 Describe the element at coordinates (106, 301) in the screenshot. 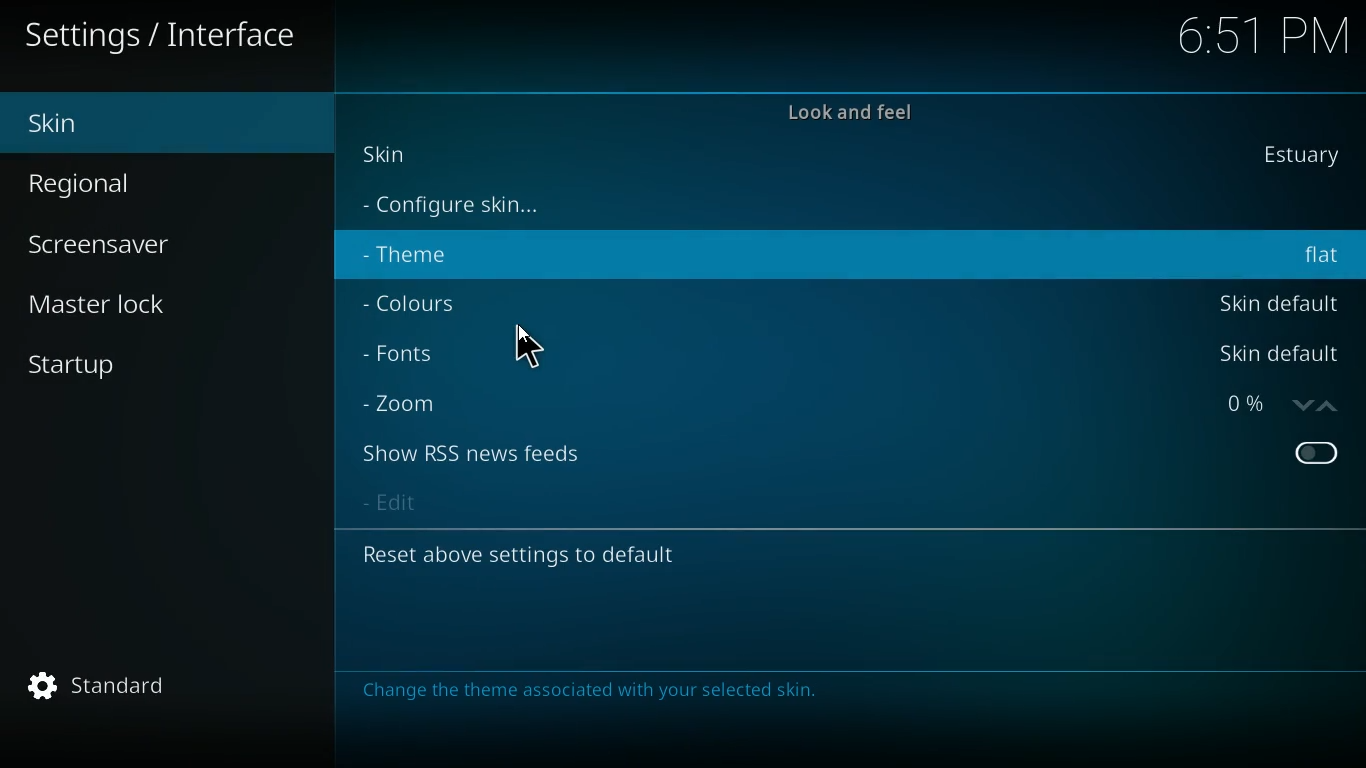

I see `Master Lock` at that location.